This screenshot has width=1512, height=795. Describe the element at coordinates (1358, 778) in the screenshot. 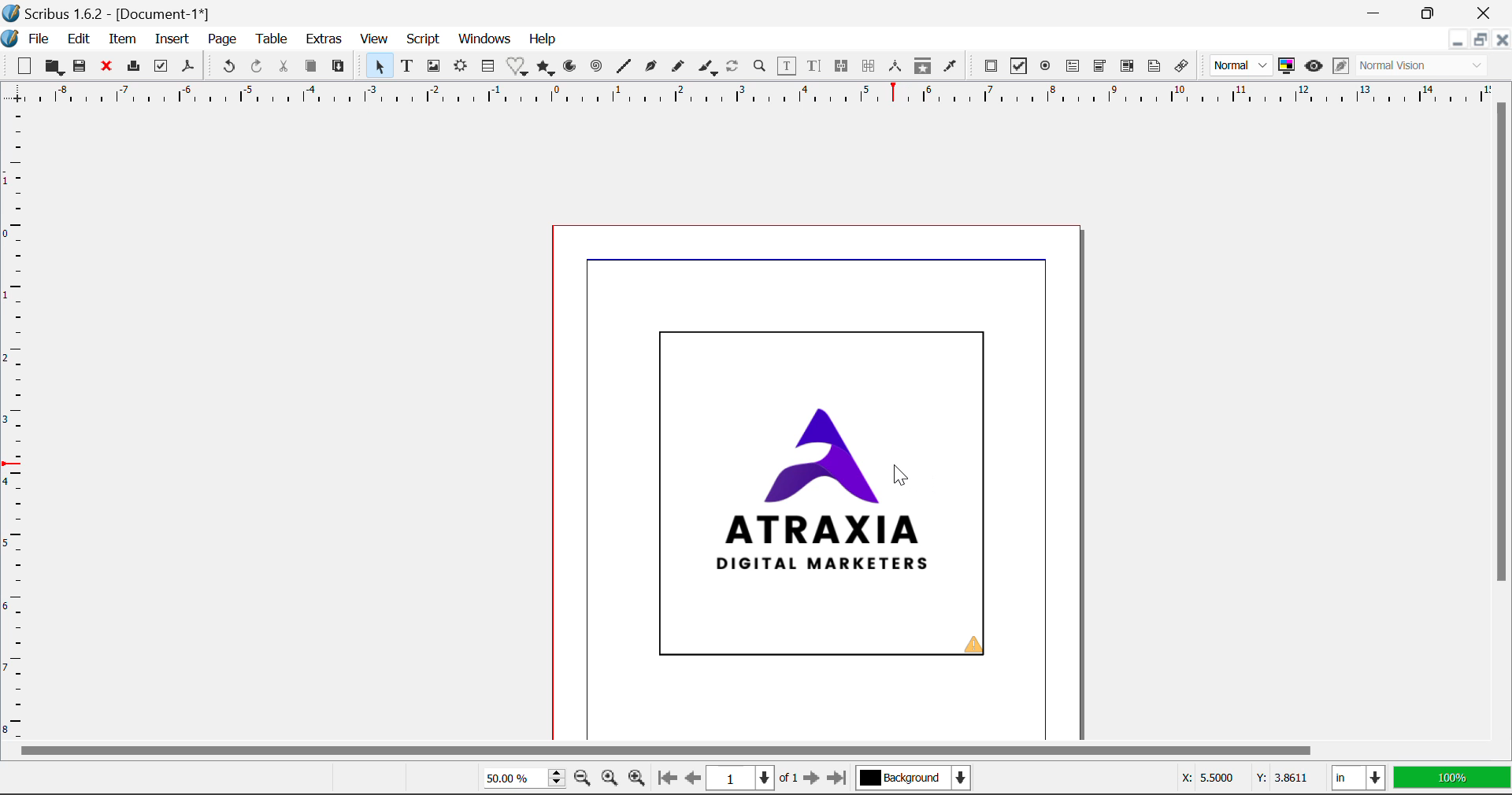

I see `in` at that location.